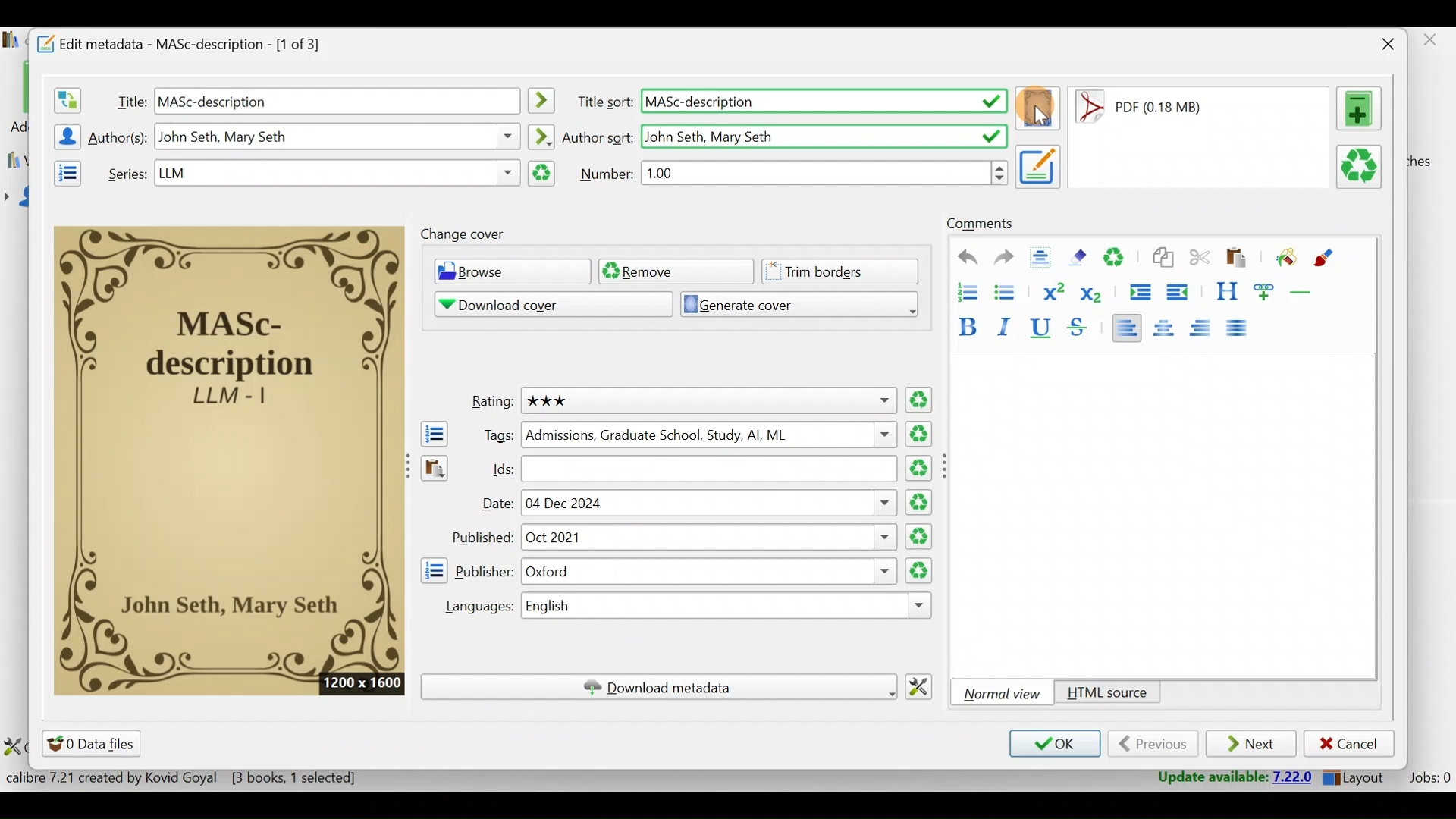  Describe the element at coordinates (488, 403) in the screenshot. I see `Rating` at that location.